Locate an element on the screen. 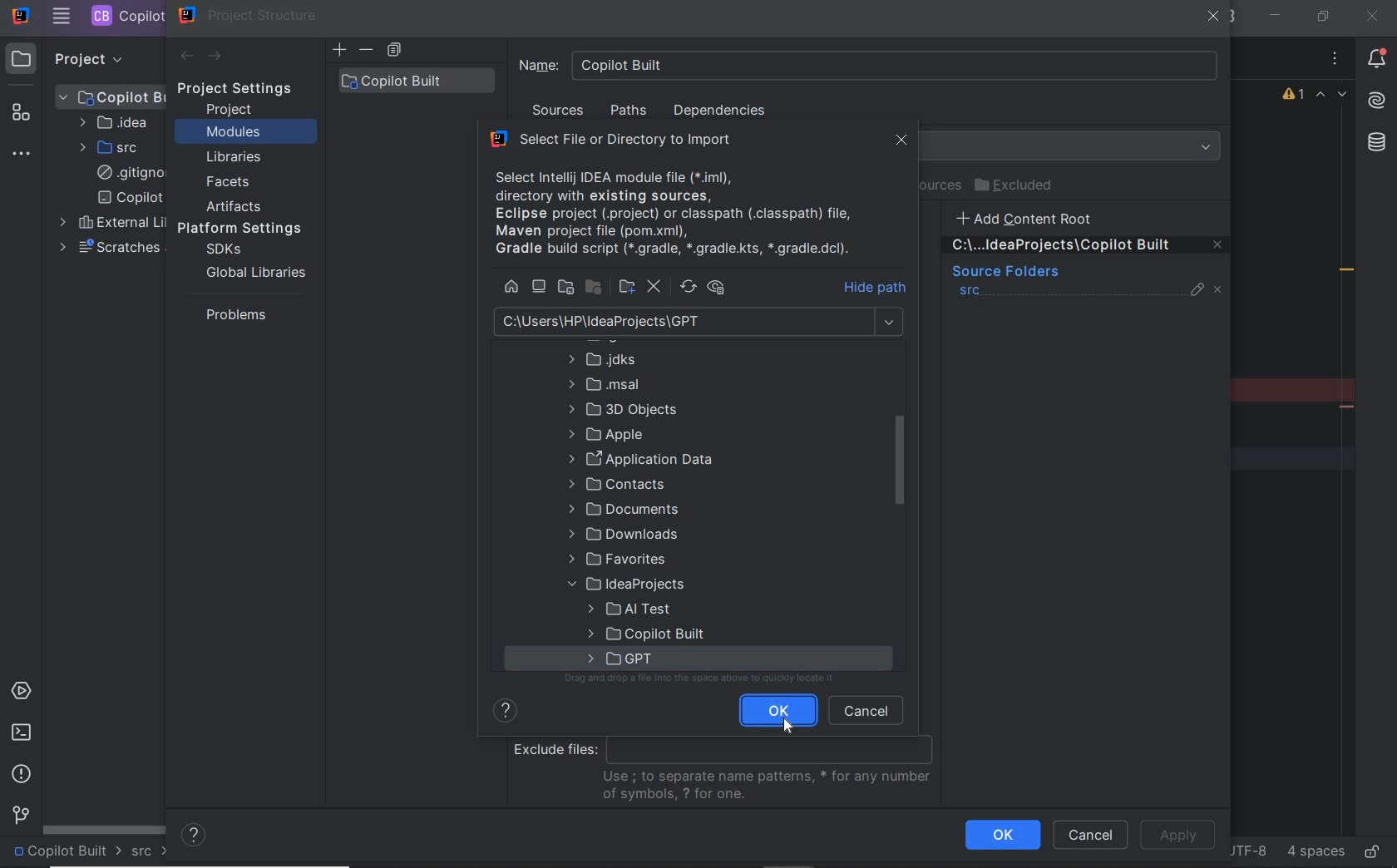 This screenshot has width=1397, height=868. copilot built.iml is located at coordinates (130, 198).